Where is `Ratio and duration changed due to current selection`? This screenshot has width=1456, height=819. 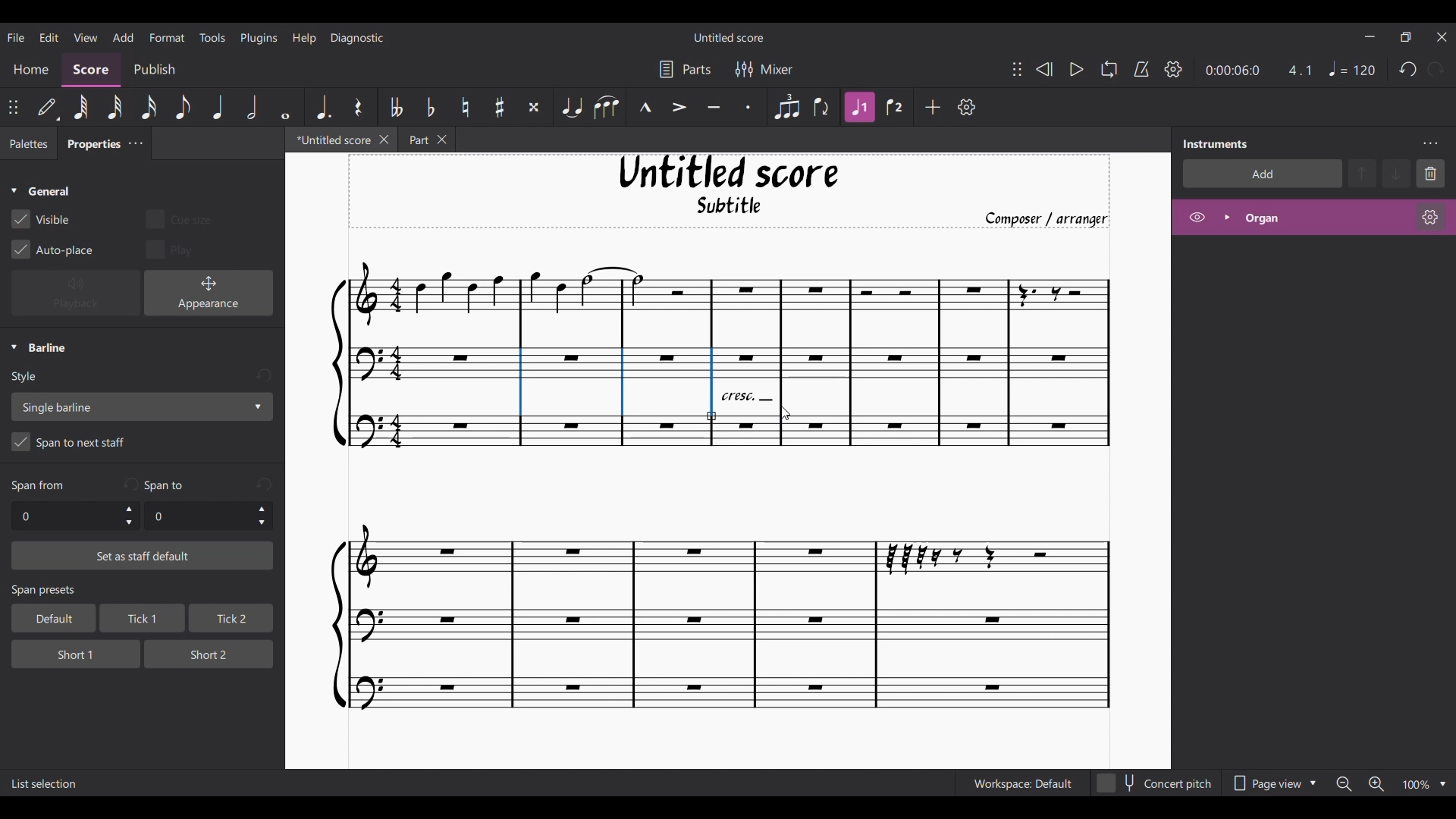 Ratio and duration changed due to current selection is located at coordinates (1258, 71).